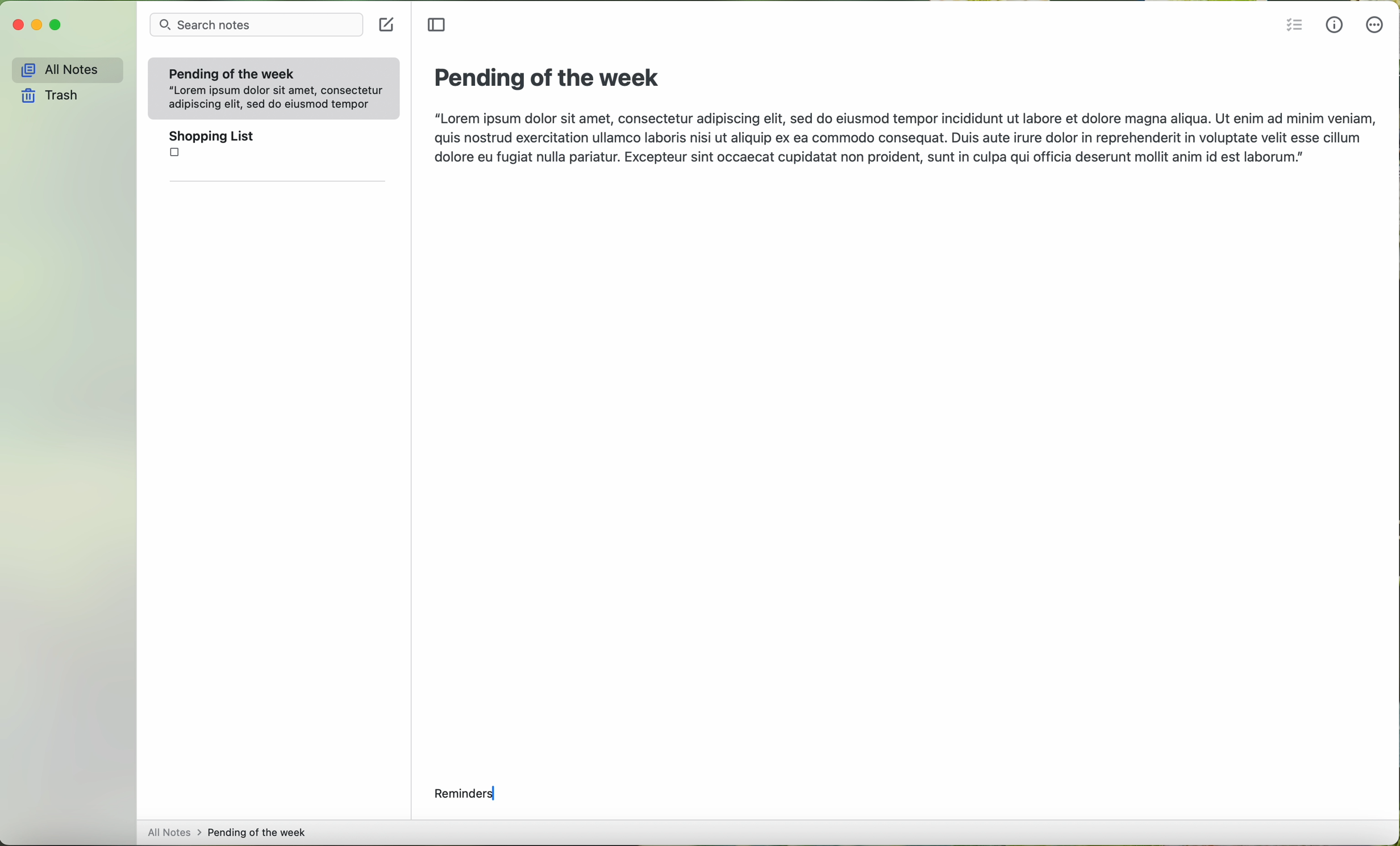 The height and width of the screenshot is (846, 1400). I want to click on maximize program, so click(55, 25).